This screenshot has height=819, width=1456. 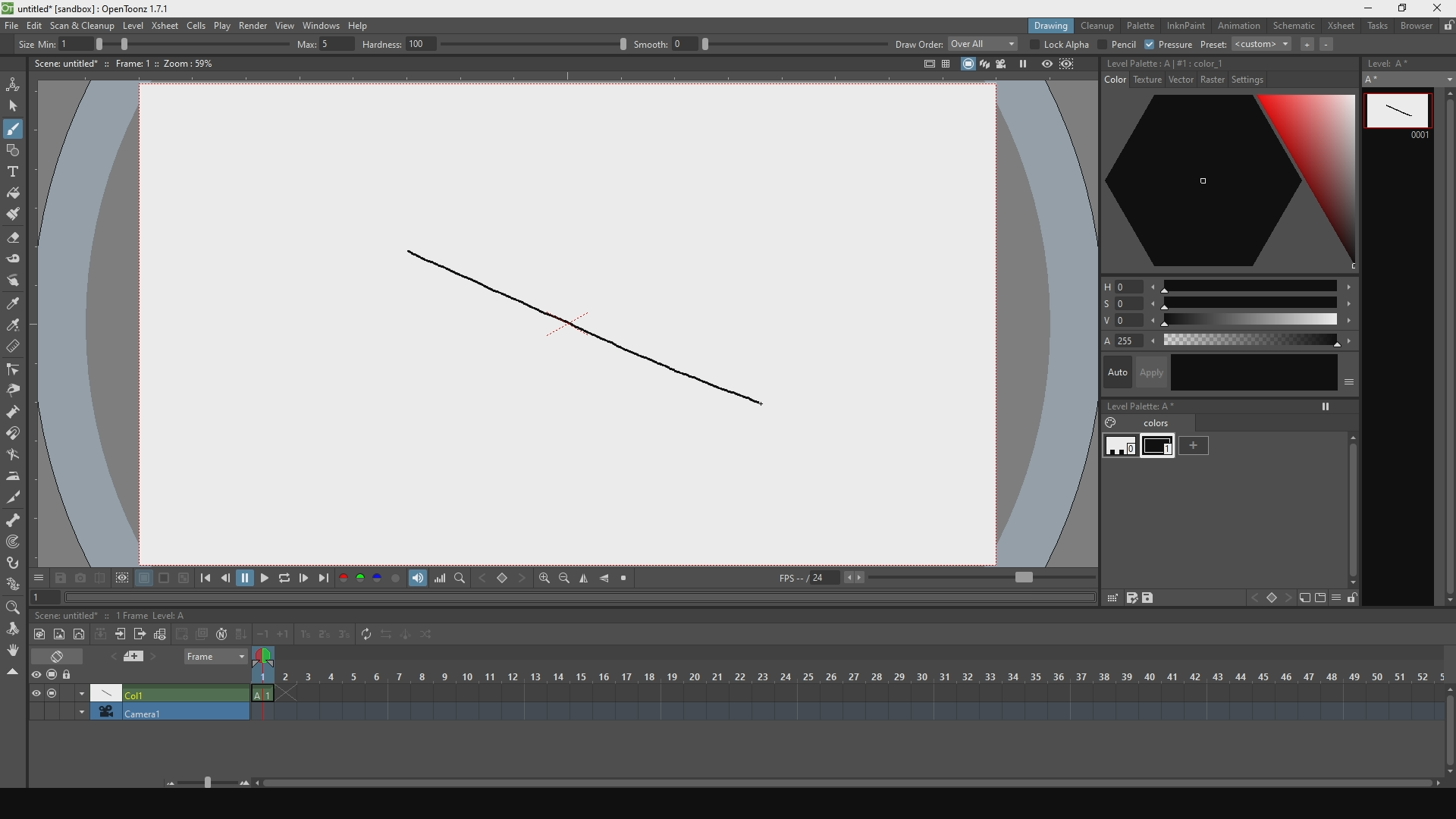 What do you see at coordinates (14, 544) in the screenshot?
I see `mapping point` at bounding box center [14, 544].